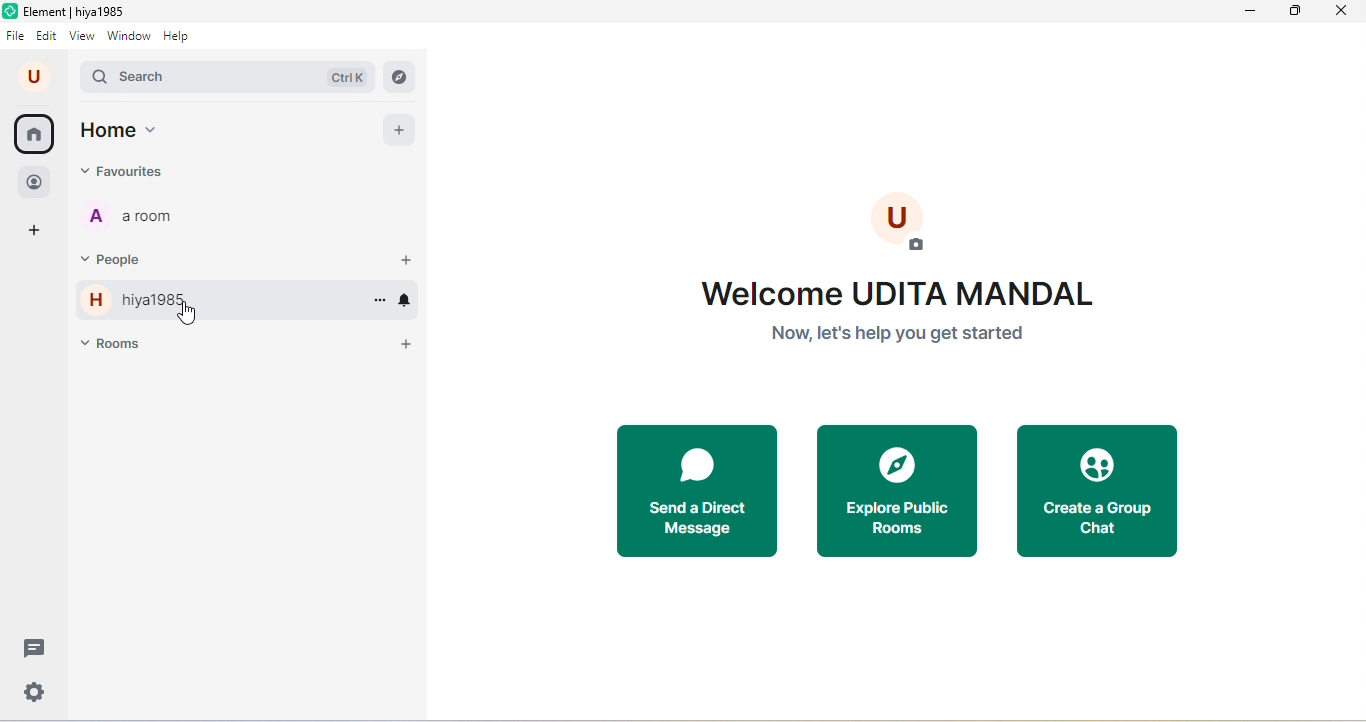 This screenshot has height=722, width=1366. What do you see at coordinates (171, 78) in the screenshot?
I see `search bar` at bounding box center [171, 78].